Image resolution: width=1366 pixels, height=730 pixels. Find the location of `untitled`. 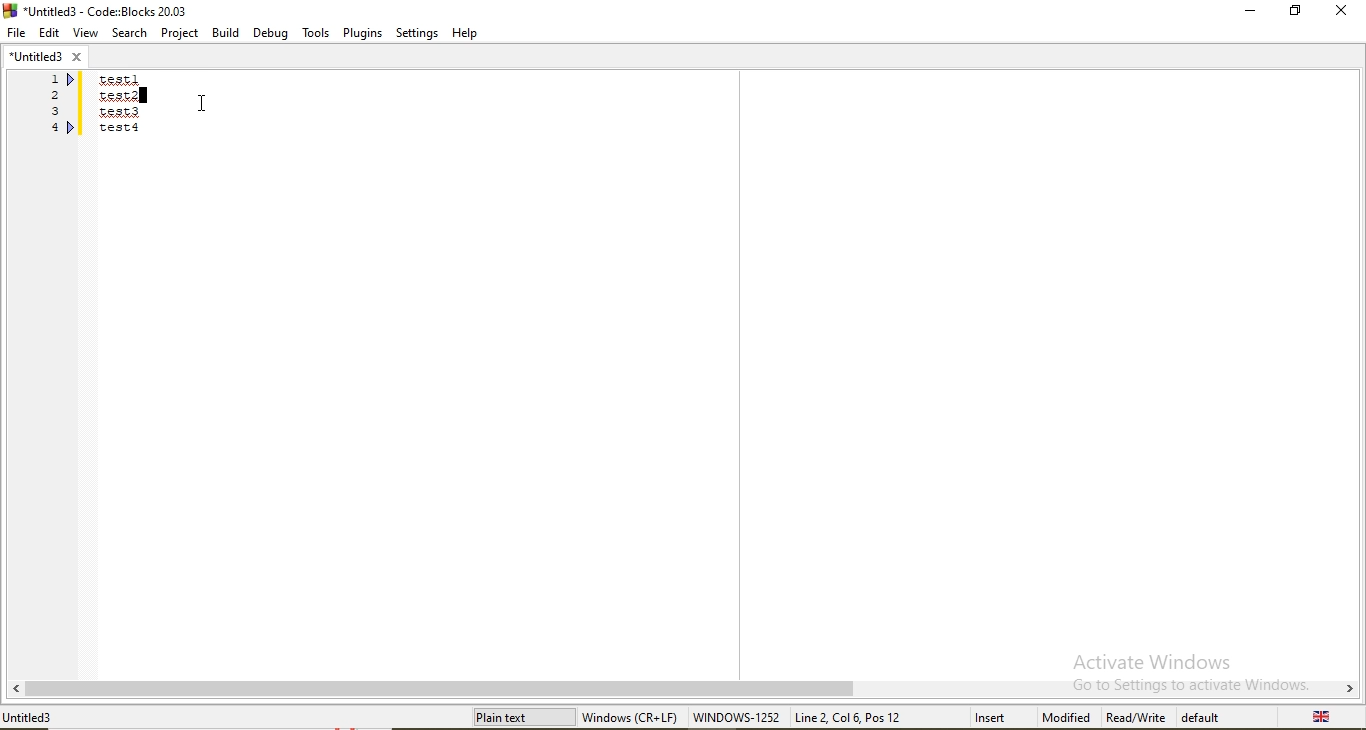

untitled is located at coordinates (45, 55).